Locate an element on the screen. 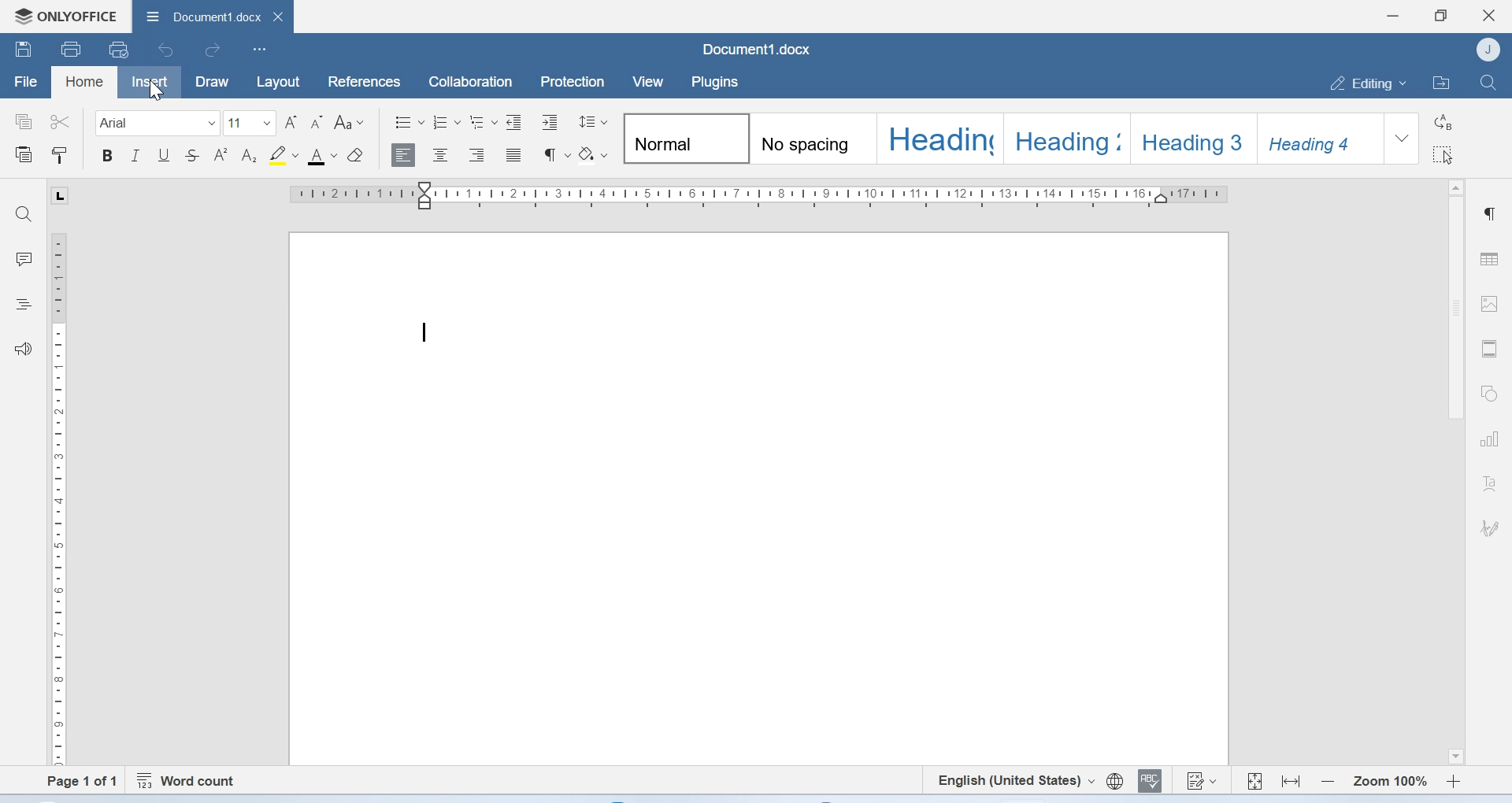  uick print is located at coordinates (121, 50).